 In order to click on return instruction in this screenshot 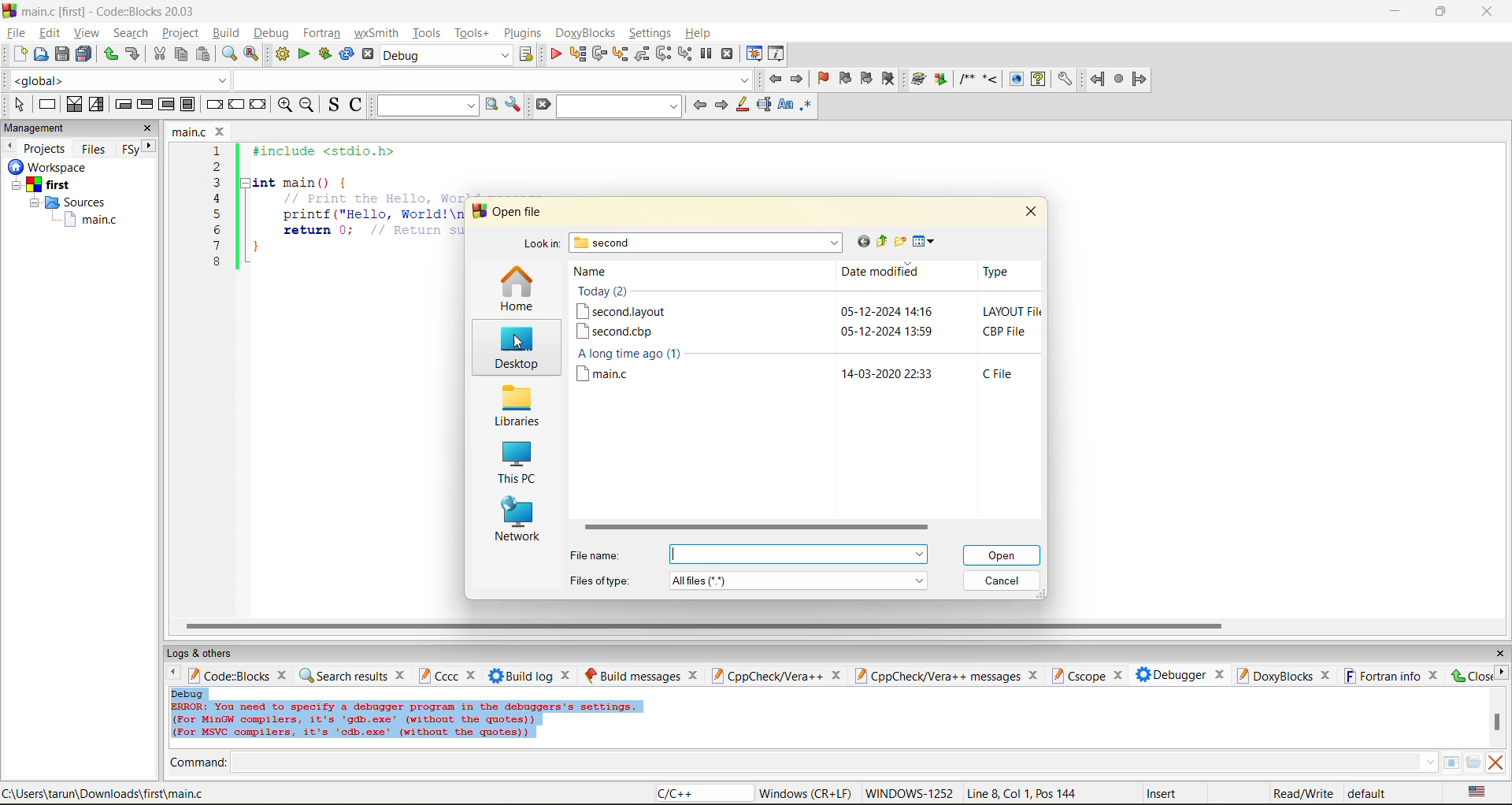, I will do `click(259, 106)`.